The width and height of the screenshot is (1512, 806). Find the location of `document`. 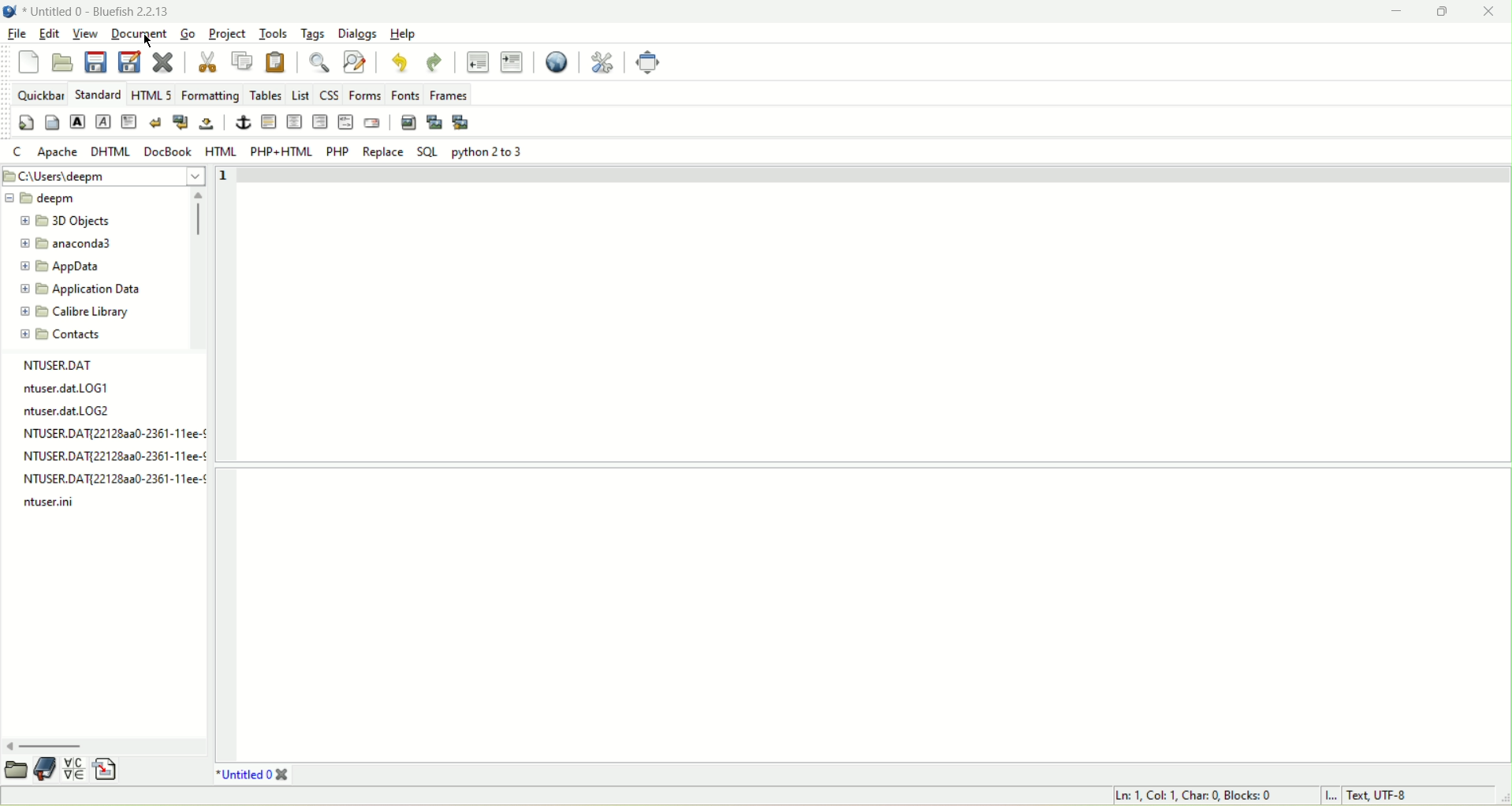

document is located at coordinates (142, 32).